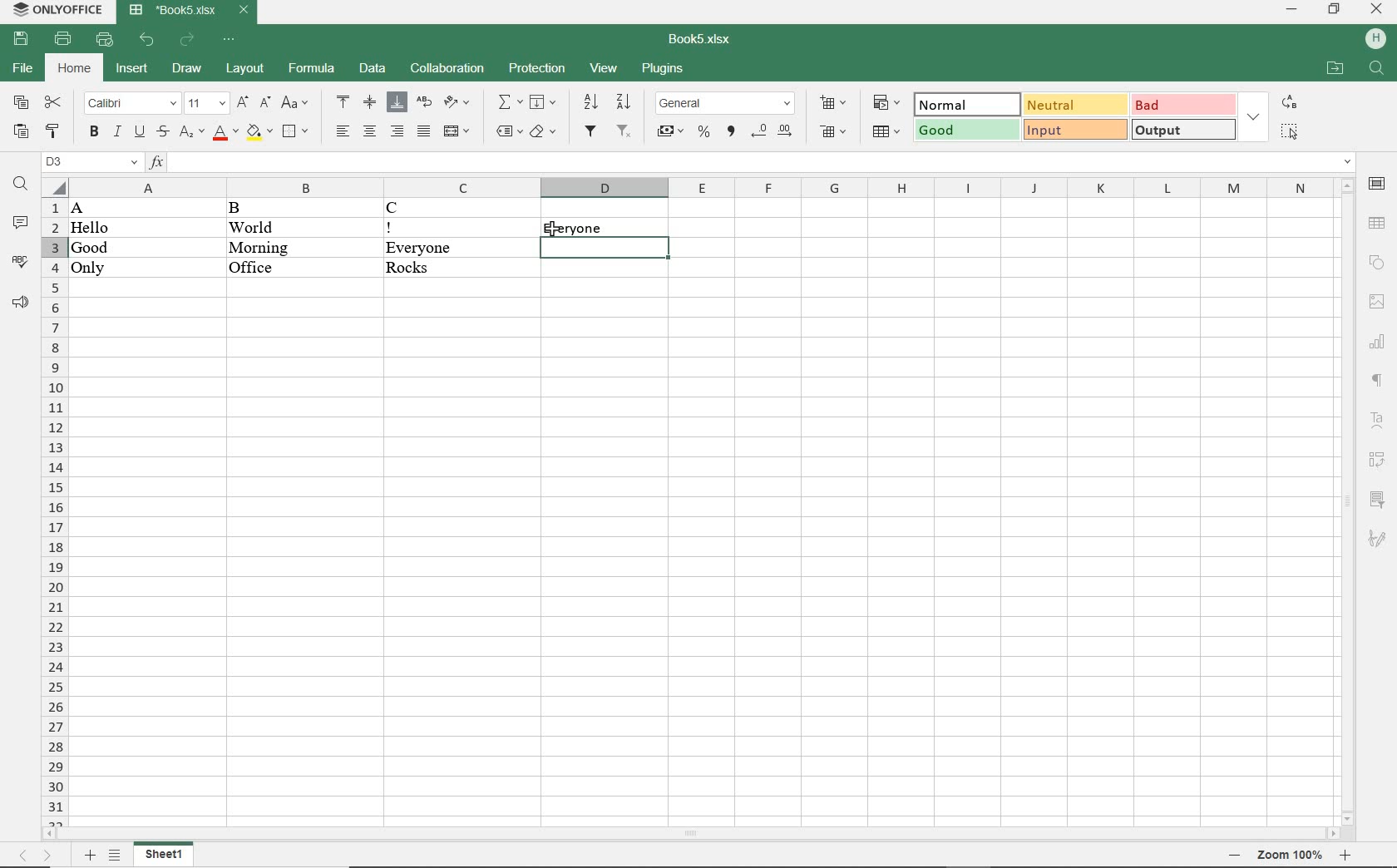 The height and width of the screenshot is (868, 1397). Describe the element at coordinates (544, 103) in the screenshot. I see `fill` at that location.